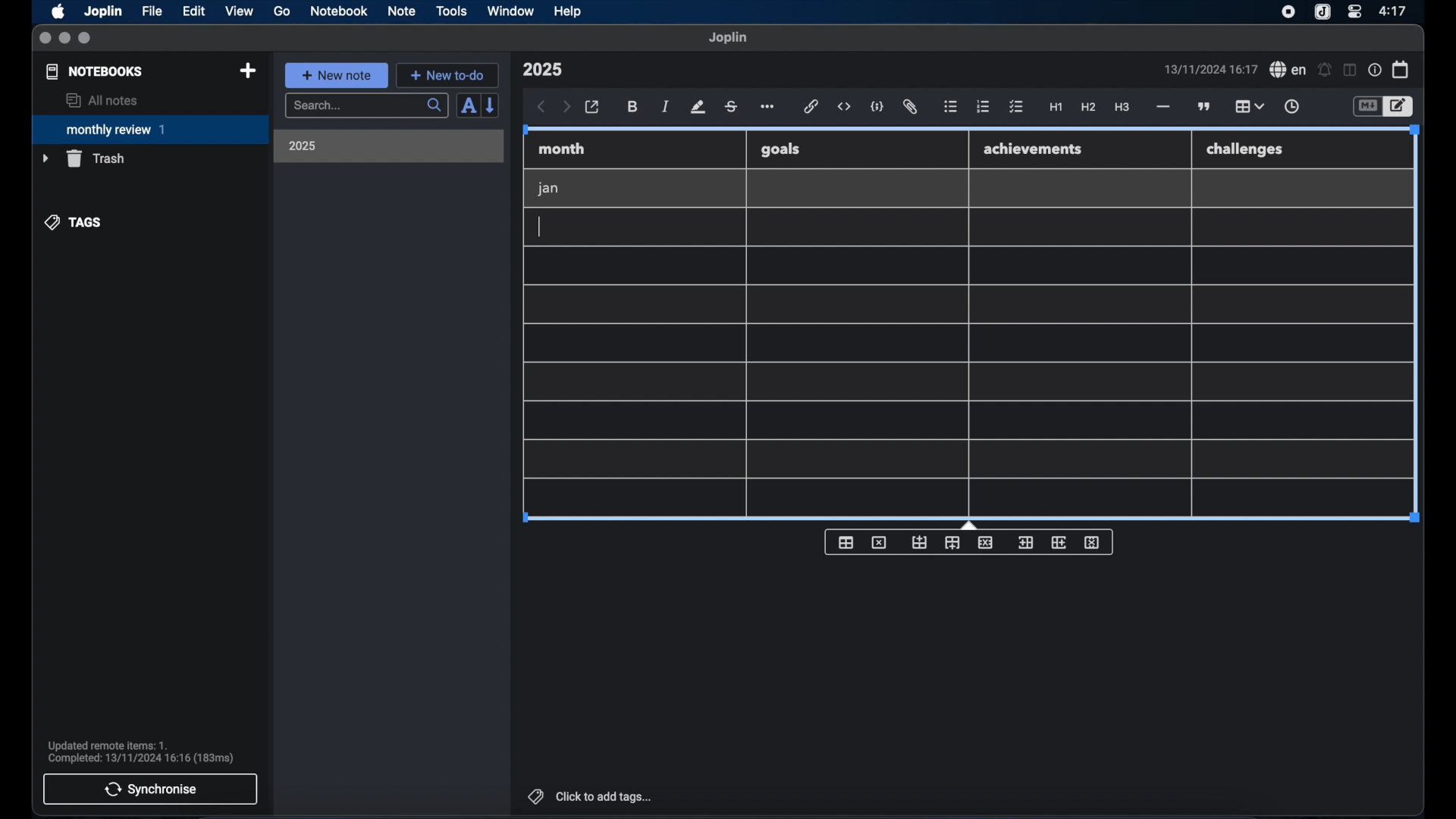 This screenshot has height=819, width=1456. I want to click on open in external editor, so click(593, 108).